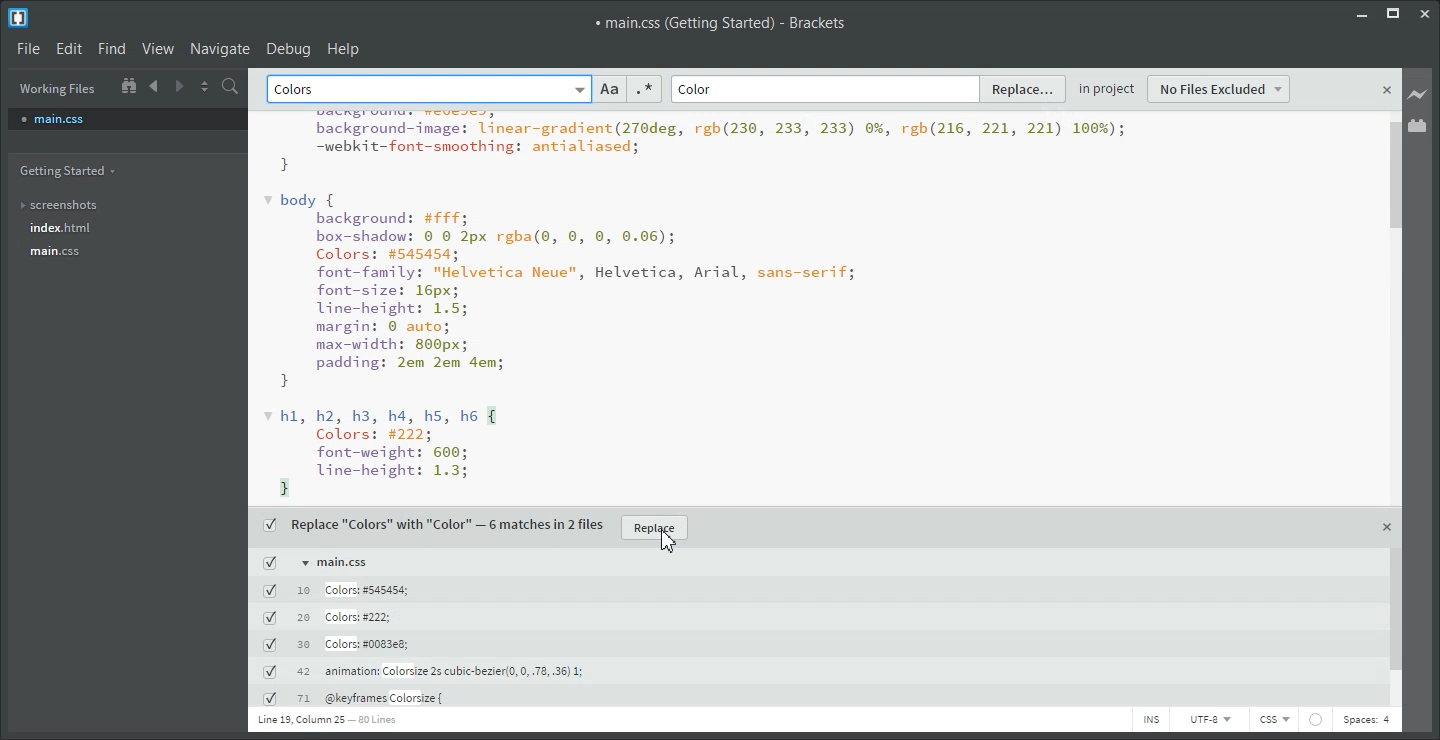  What do you see at coordinates (127, 118) in the screenshot?
I see `main.css` at bounding box center [127, 118].